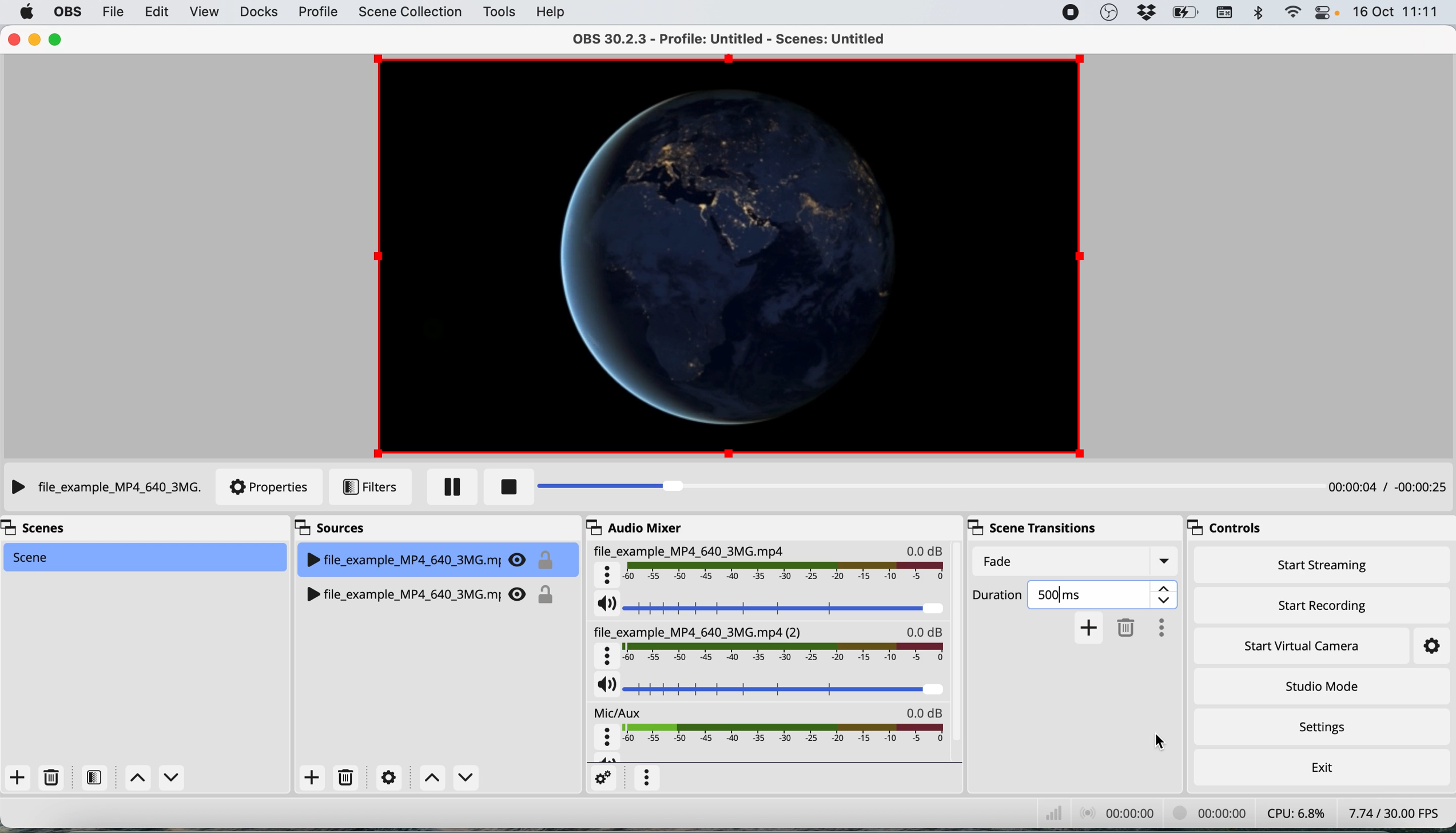 The height and width of the screenshot is (833, 1456). What do you see at coordinates (435, 591) in the screenshot?
I see `source` at bounding box center [435, 591].